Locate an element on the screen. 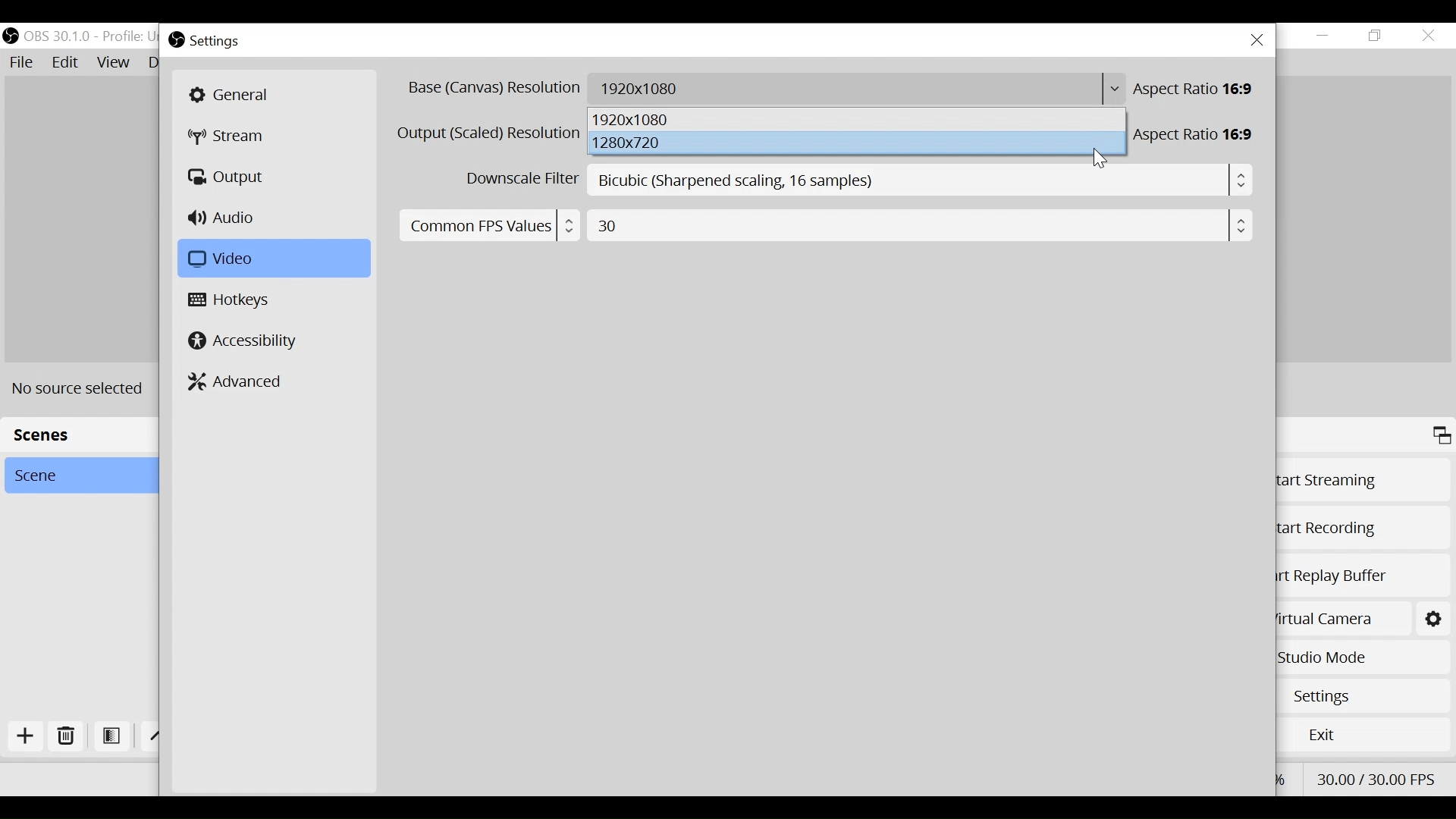 Image resolution: width=1456 pixels, height=819 pixels. Base (Canvas) Resolution is located at coordinates (492, 89).